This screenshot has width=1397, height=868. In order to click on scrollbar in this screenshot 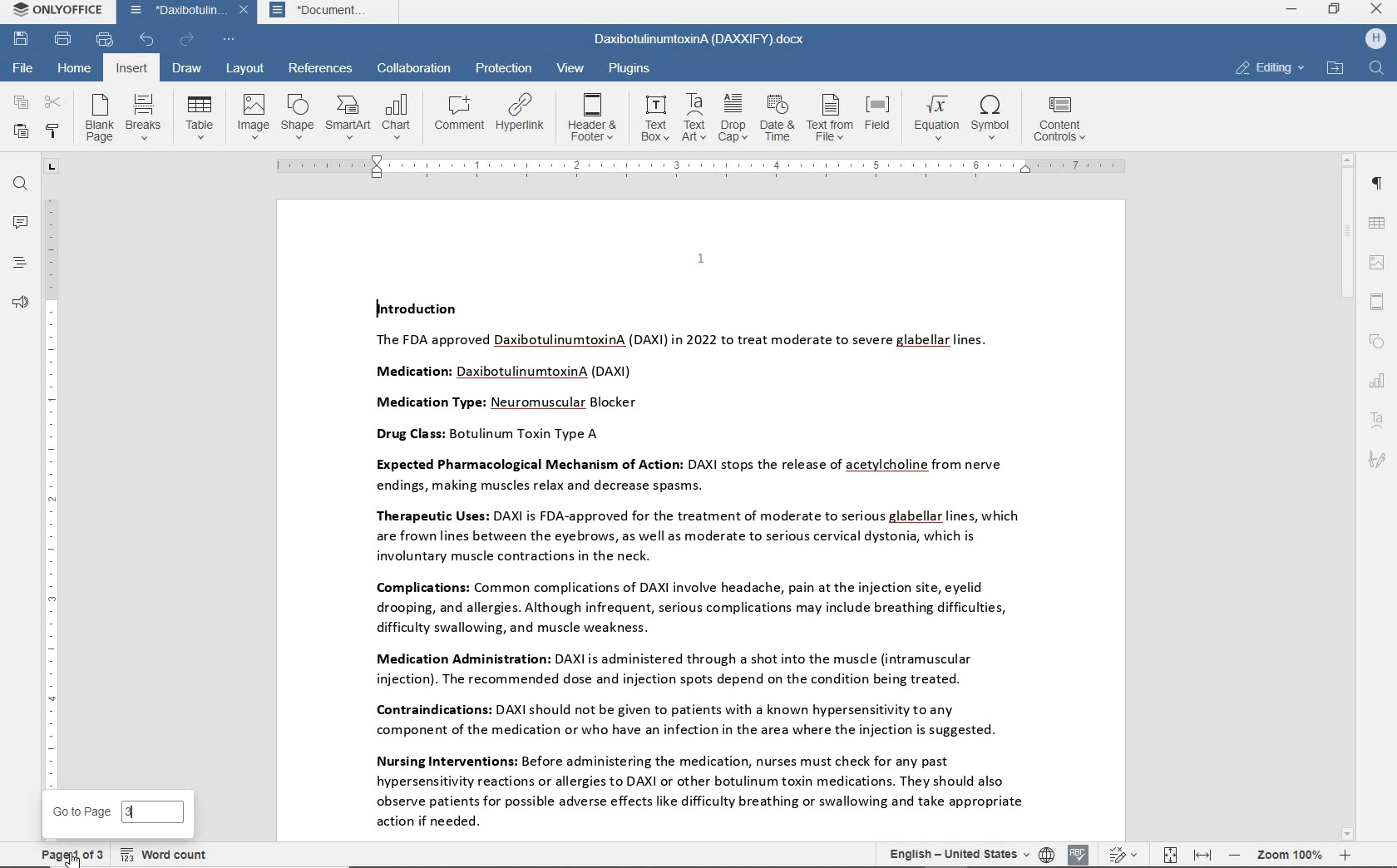, I will do `click(1348, 498)`.